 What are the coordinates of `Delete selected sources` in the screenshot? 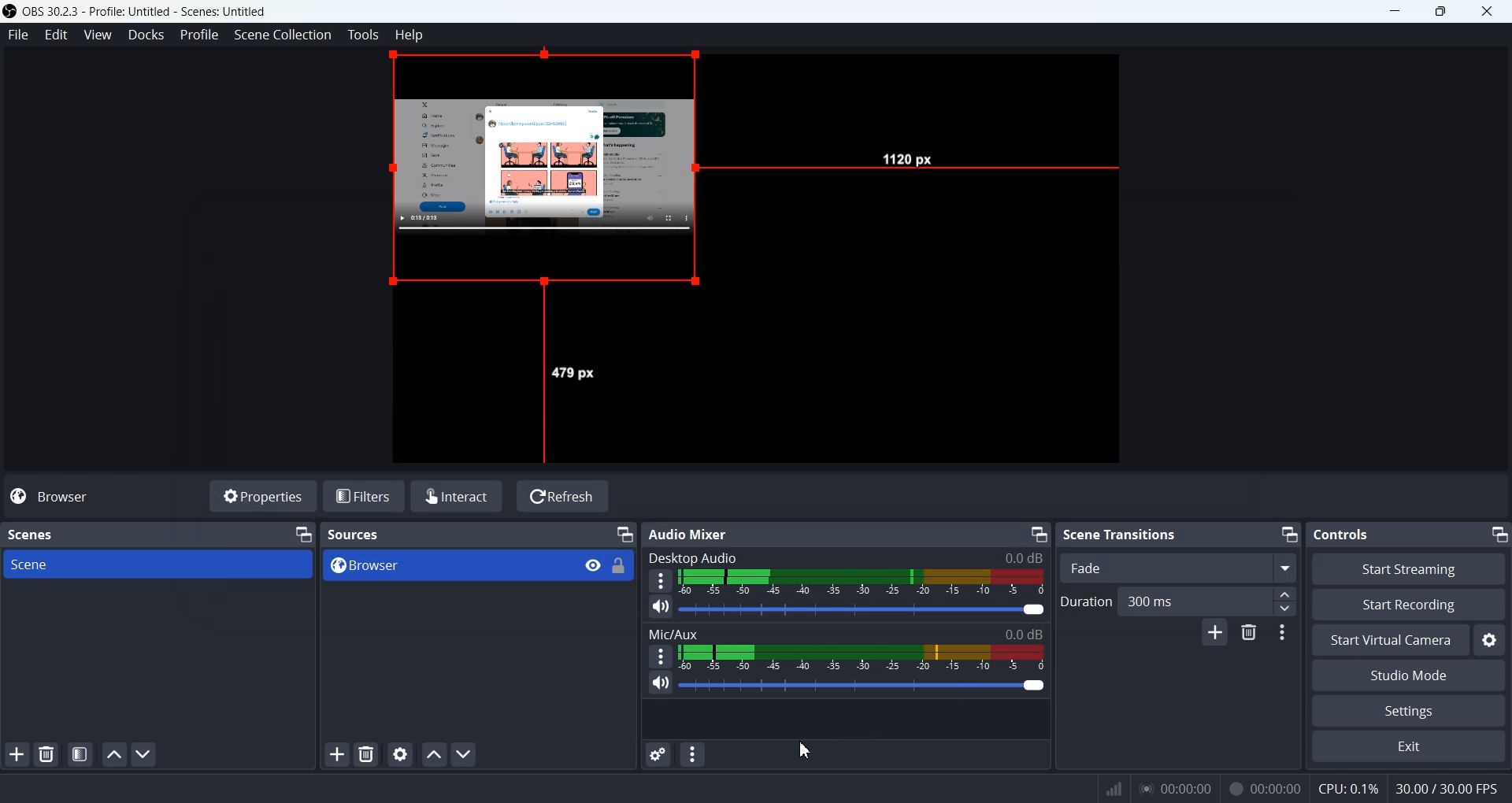 It's located at (369, 754).